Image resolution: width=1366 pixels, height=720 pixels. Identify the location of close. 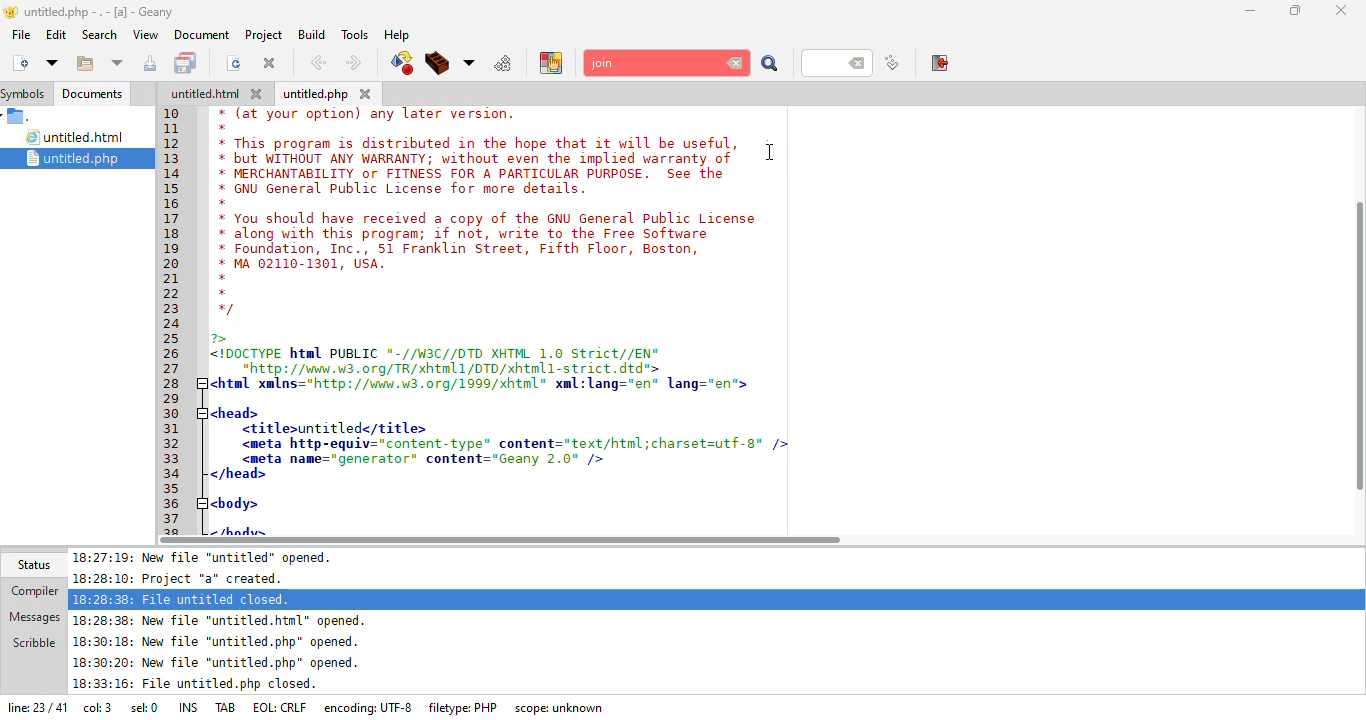
(270, 62).